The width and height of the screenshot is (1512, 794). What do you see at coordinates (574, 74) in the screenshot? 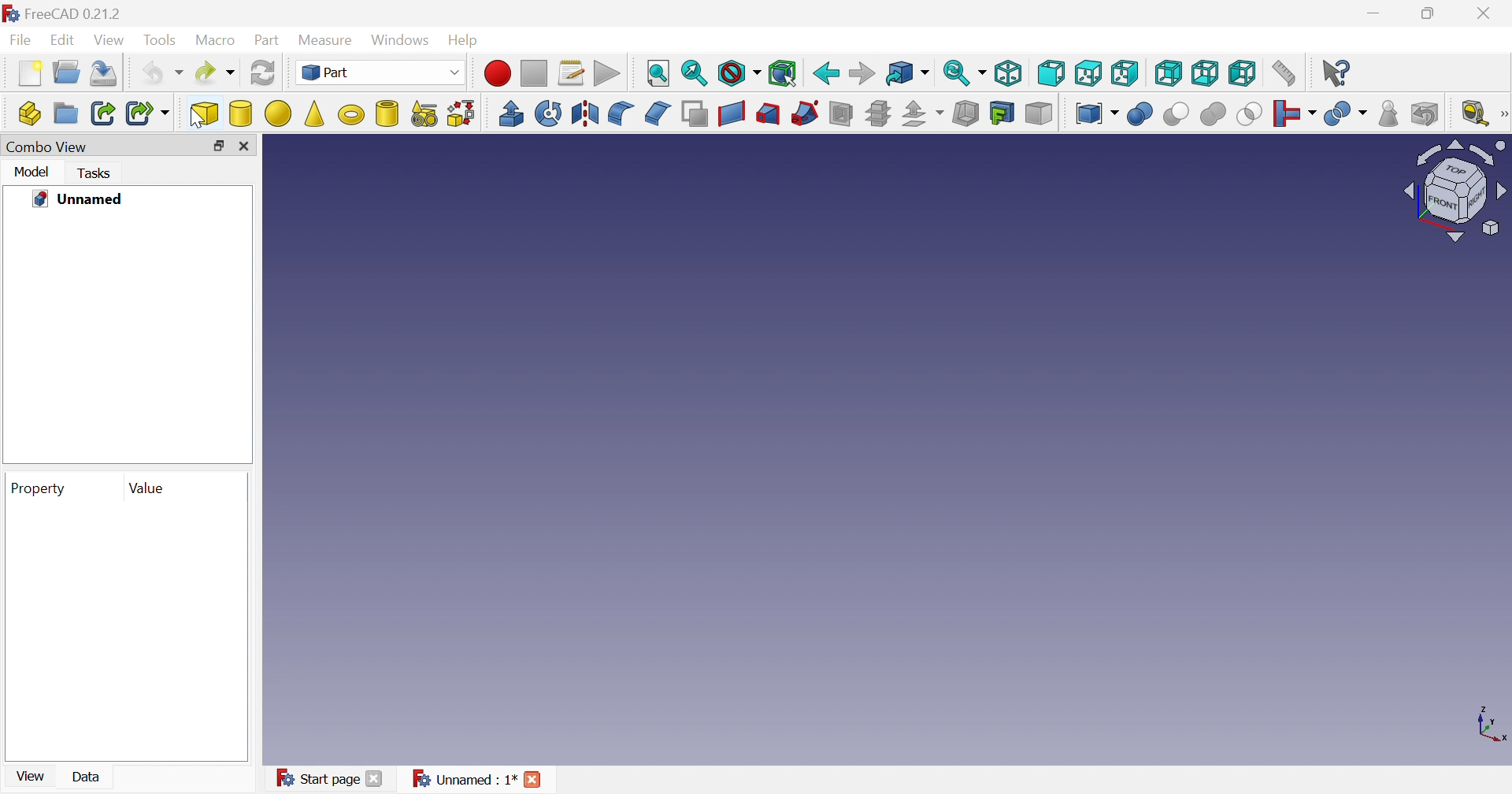
I see `Macros` at bounding box center [574, 74].